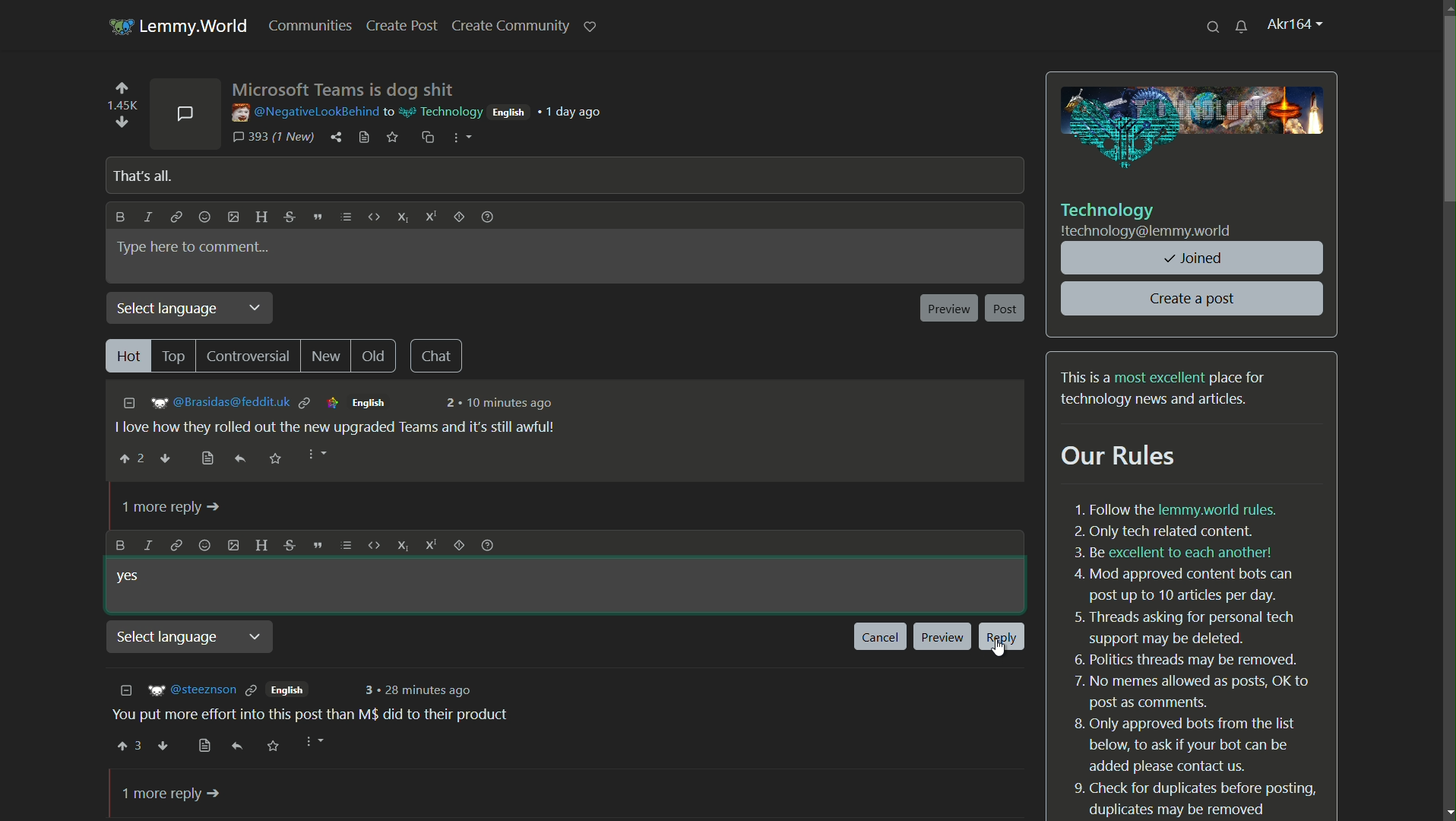  Describe the element at coordinates (1166, 388) in the screenshot. I see `text` at that location.